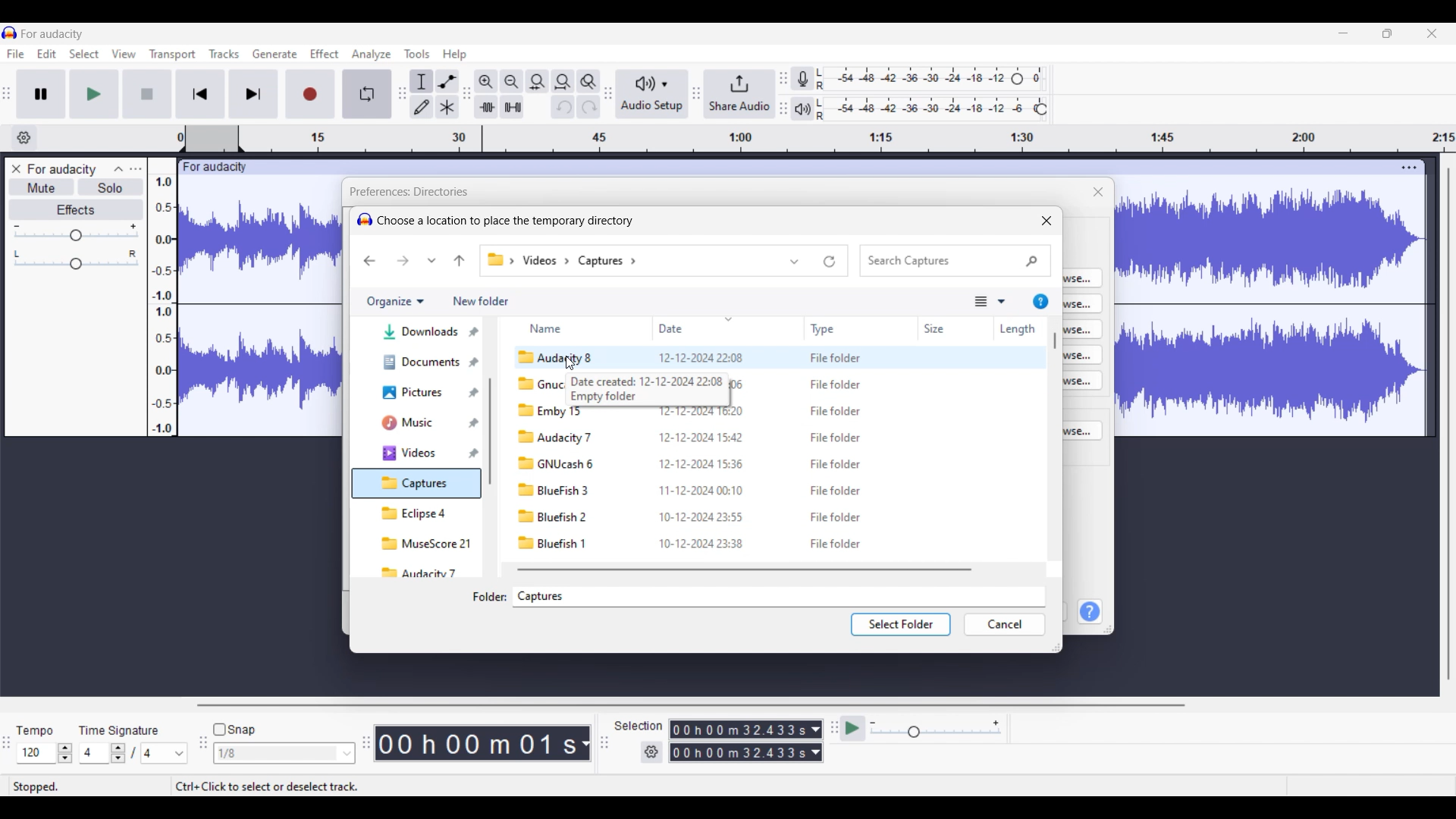  What do you see at coordinates (490, 431) in the screenshot?
I see `Vertical scroll bar` at bounding box center [490, 431].